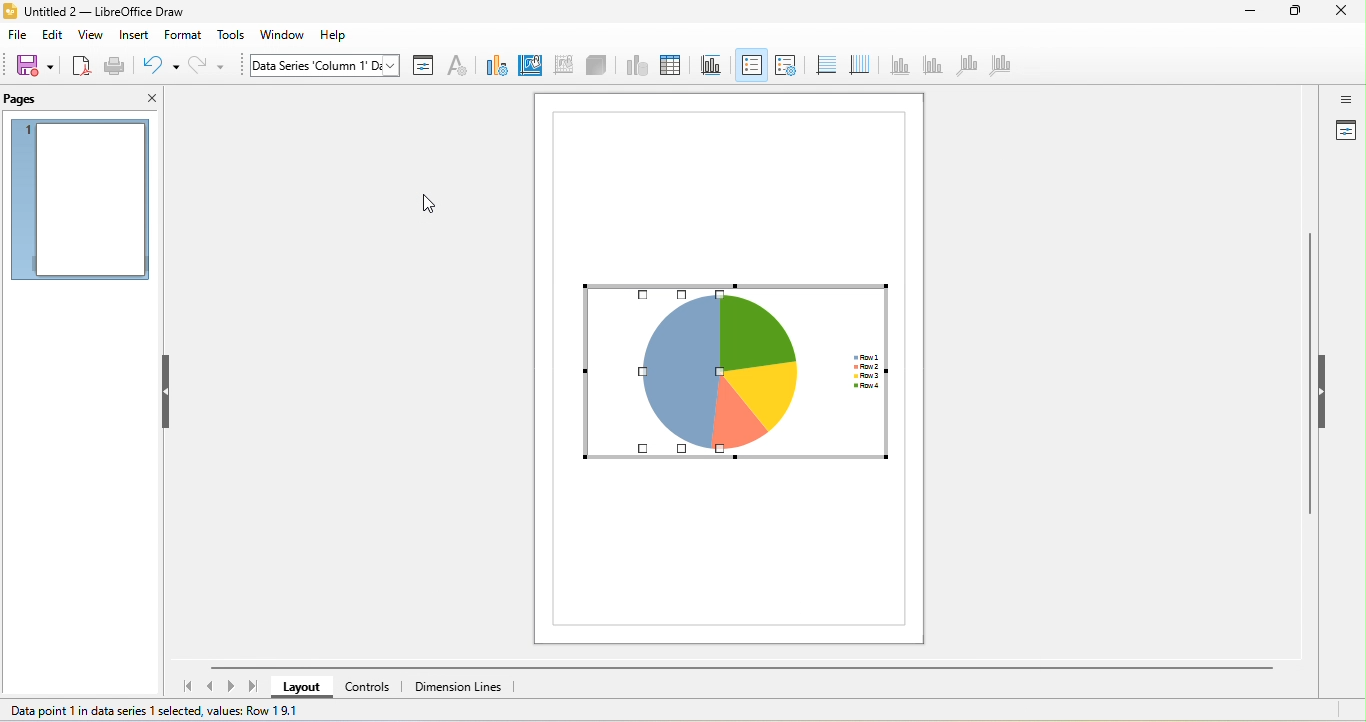 The width and height of the screenshot is (1366, 722). What do you see at coordinates (133, 35) in the screenshot?
I see `insert` at bounding box center [133, 35].